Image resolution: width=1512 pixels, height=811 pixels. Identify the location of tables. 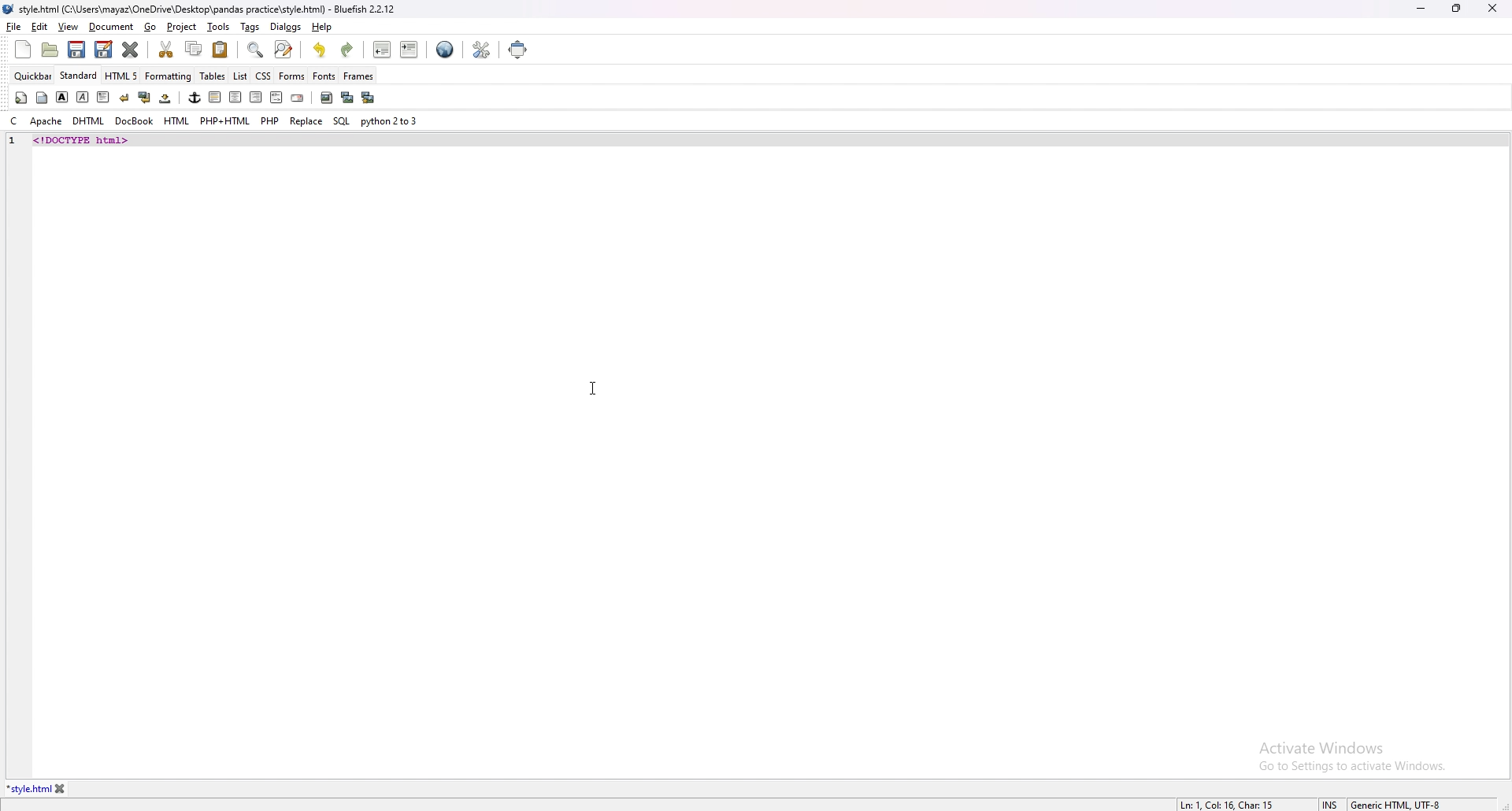
(213, 76).